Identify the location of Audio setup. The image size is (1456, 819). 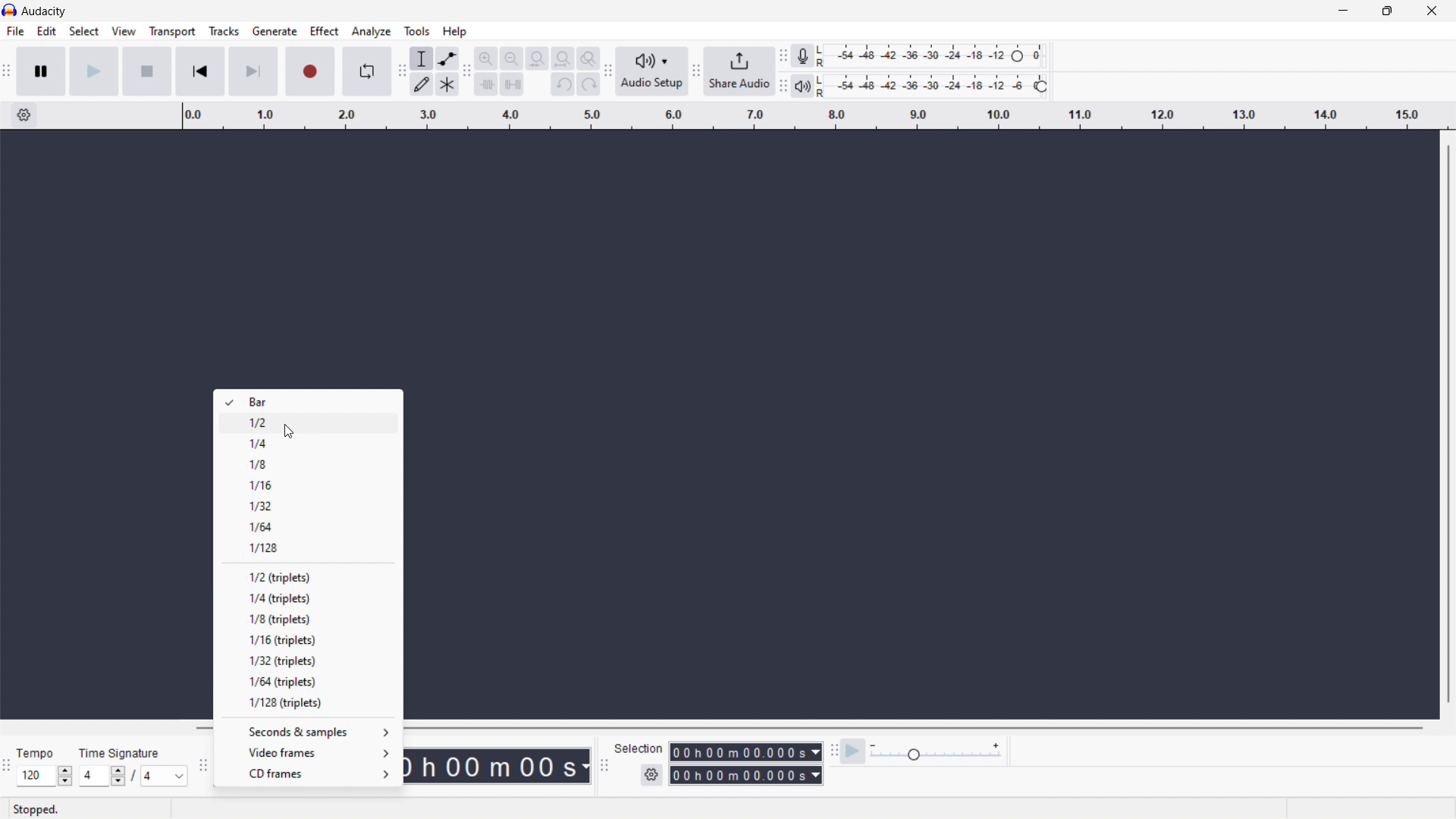
(652, 71).